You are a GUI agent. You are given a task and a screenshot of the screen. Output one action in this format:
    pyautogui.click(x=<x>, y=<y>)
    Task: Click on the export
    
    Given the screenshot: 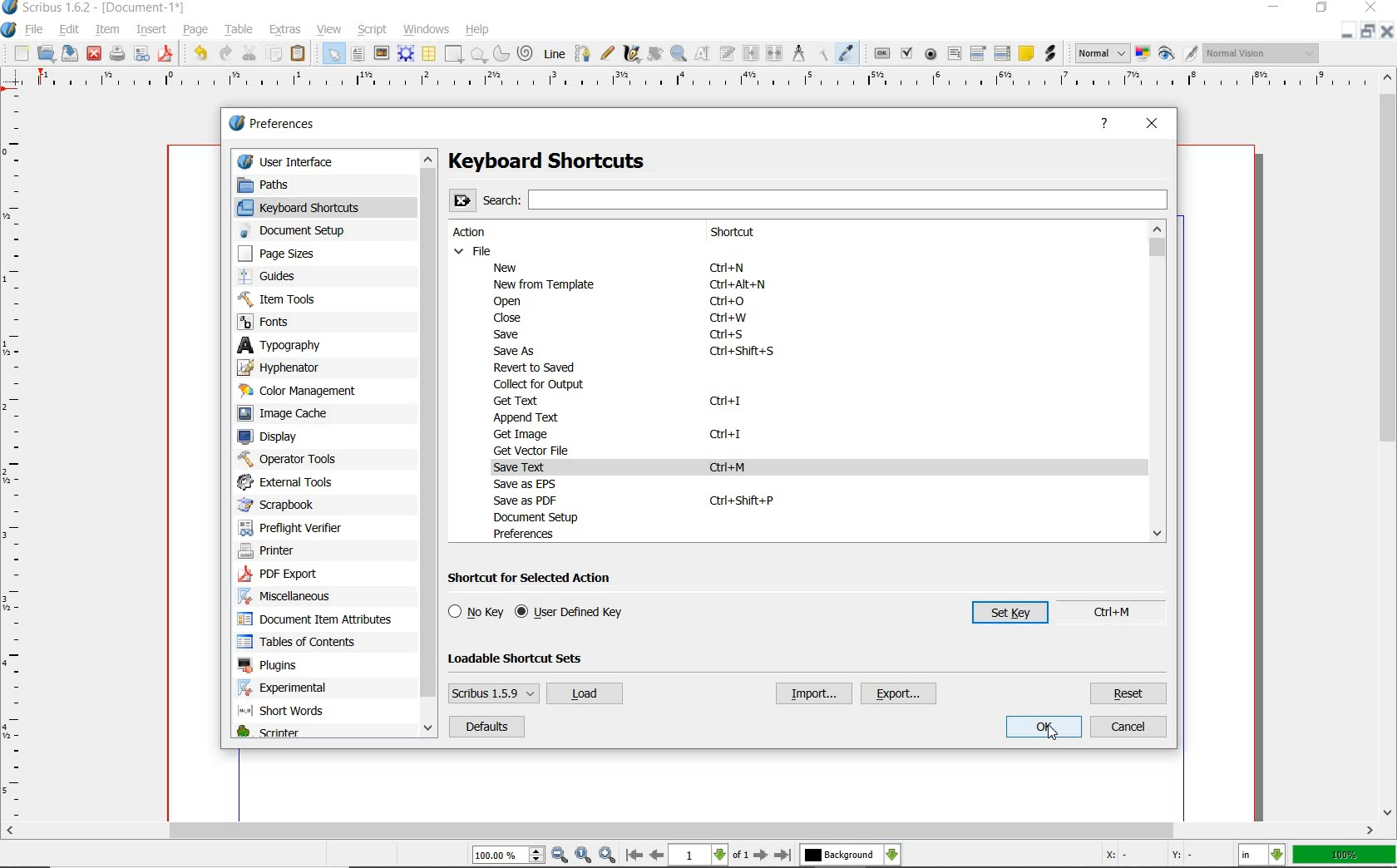 What is the action you would take?
    pyautogui.click(x=900, y=694)
    